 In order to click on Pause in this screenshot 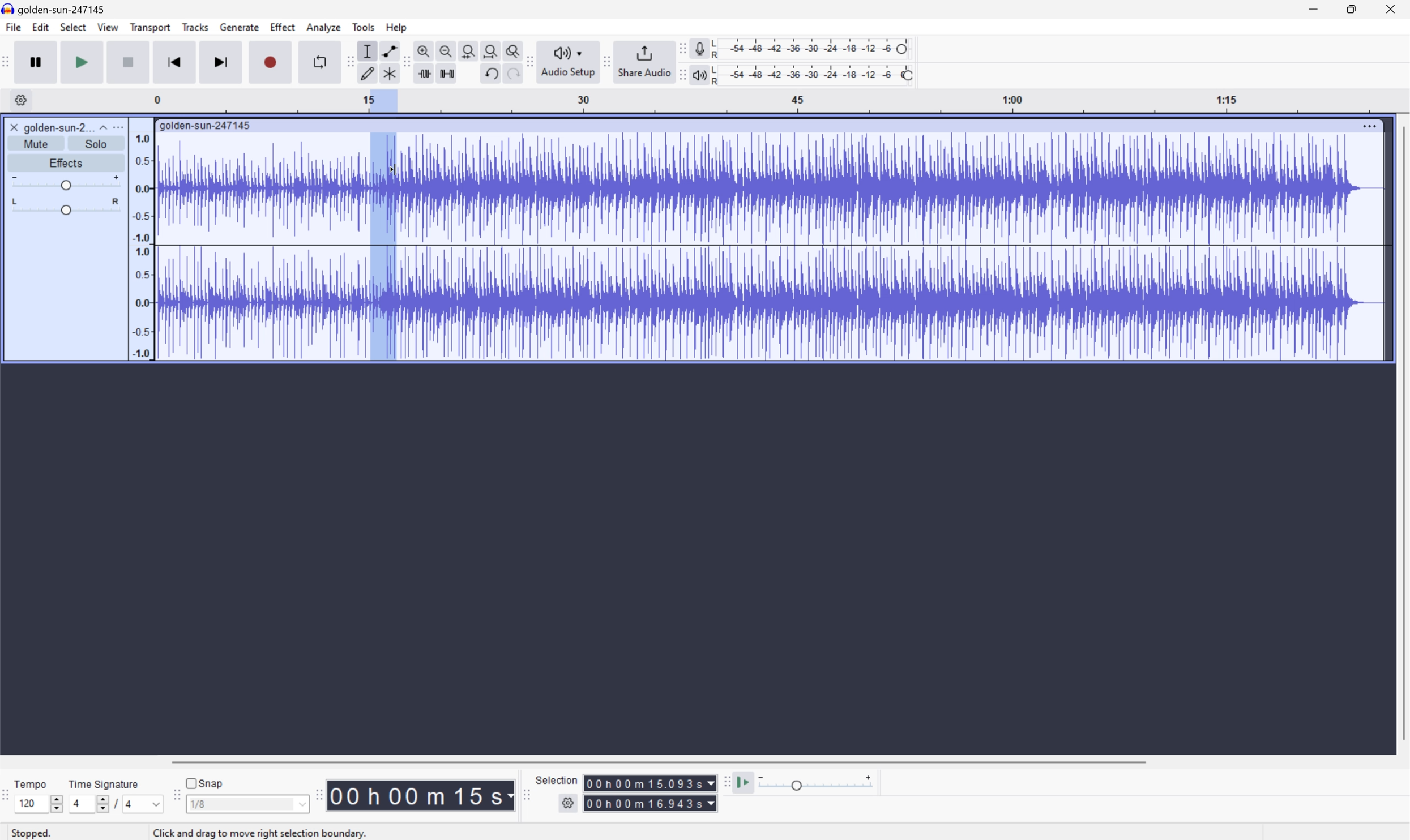, I will do `click(35, 62)`.